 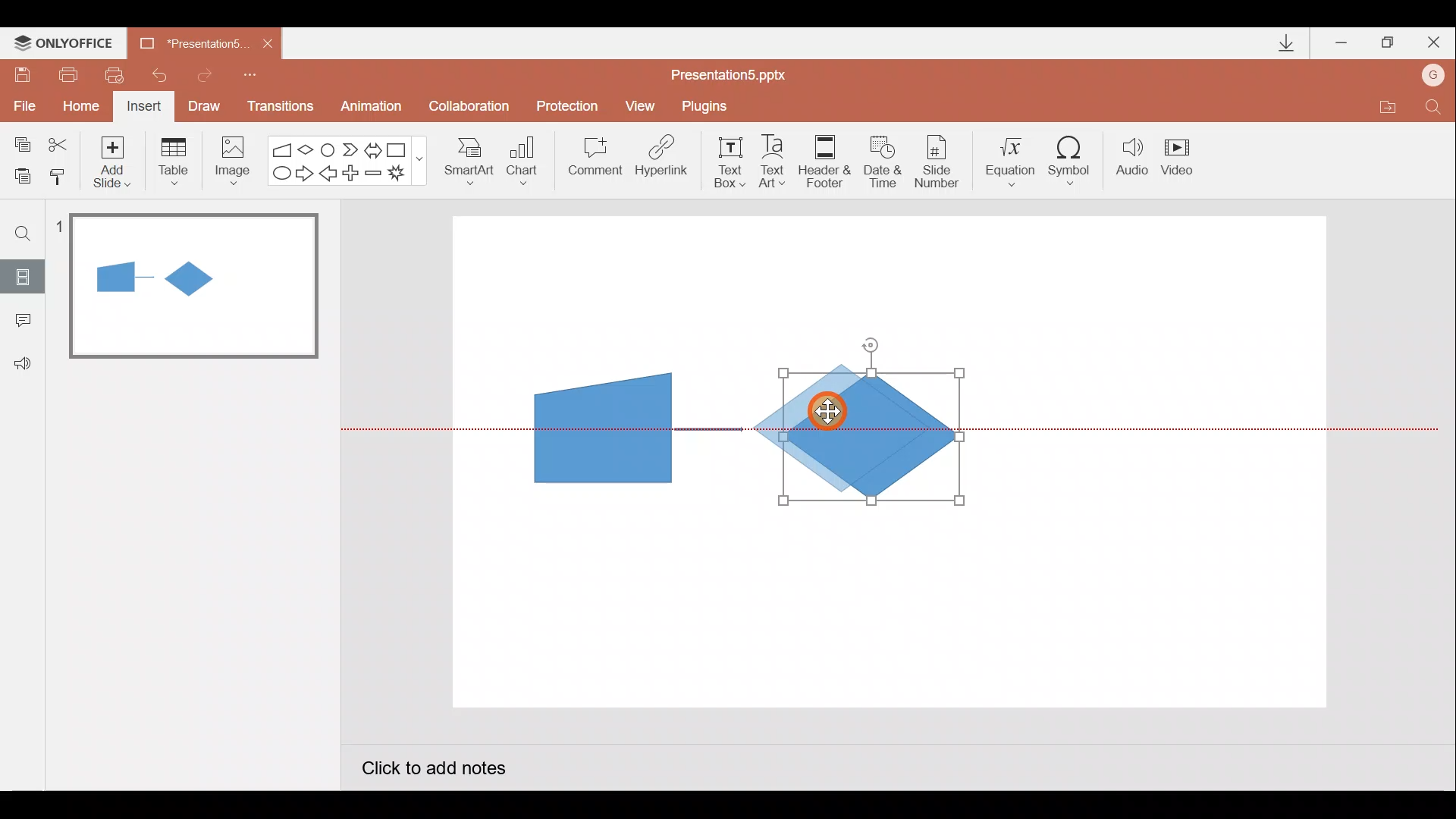 What do you see at coordinates (593, 162) in the screenshot?
I see `Comment` at bounding box center [593, 162].